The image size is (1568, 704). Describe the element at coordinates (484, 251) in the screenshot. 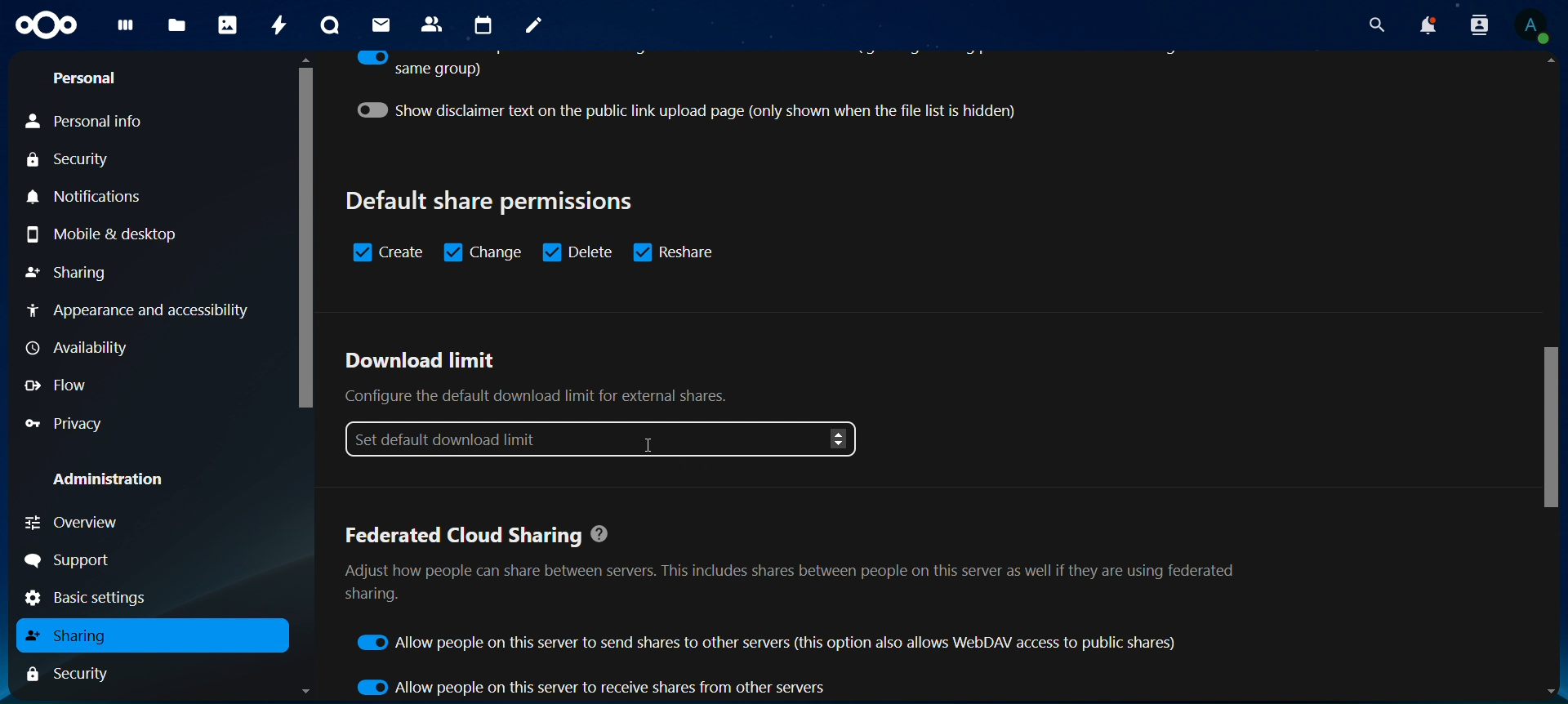

I see `change` at that location.